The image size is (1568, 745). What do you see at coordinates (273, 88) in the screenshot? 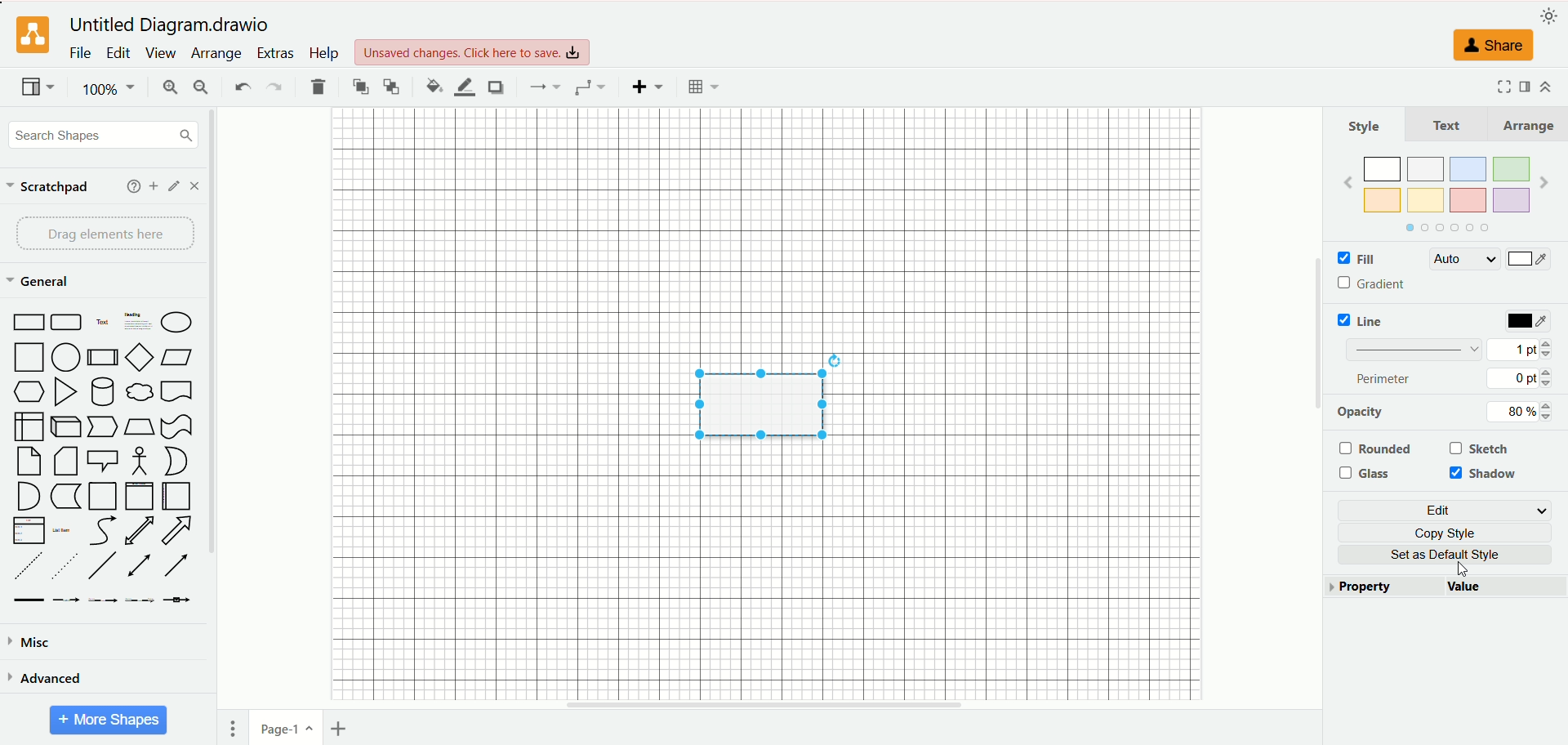
I see `redo` at bounding box center [273, 88].